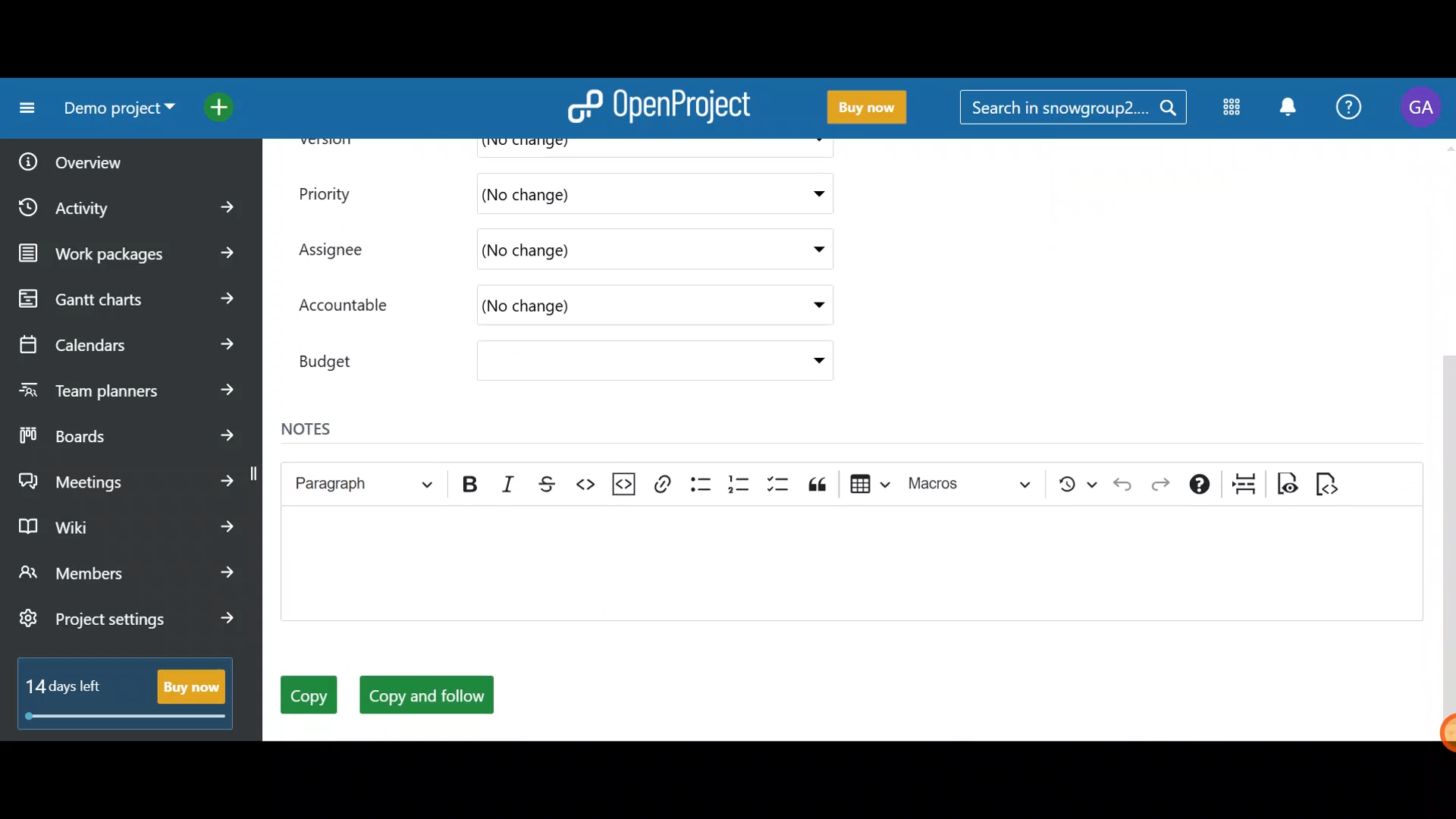 This screenshot has width=1456, height=819. What do you see at coordinates (1227, 110) in the screenshot?
I see `Modules` at bounding box center [1227, 110].